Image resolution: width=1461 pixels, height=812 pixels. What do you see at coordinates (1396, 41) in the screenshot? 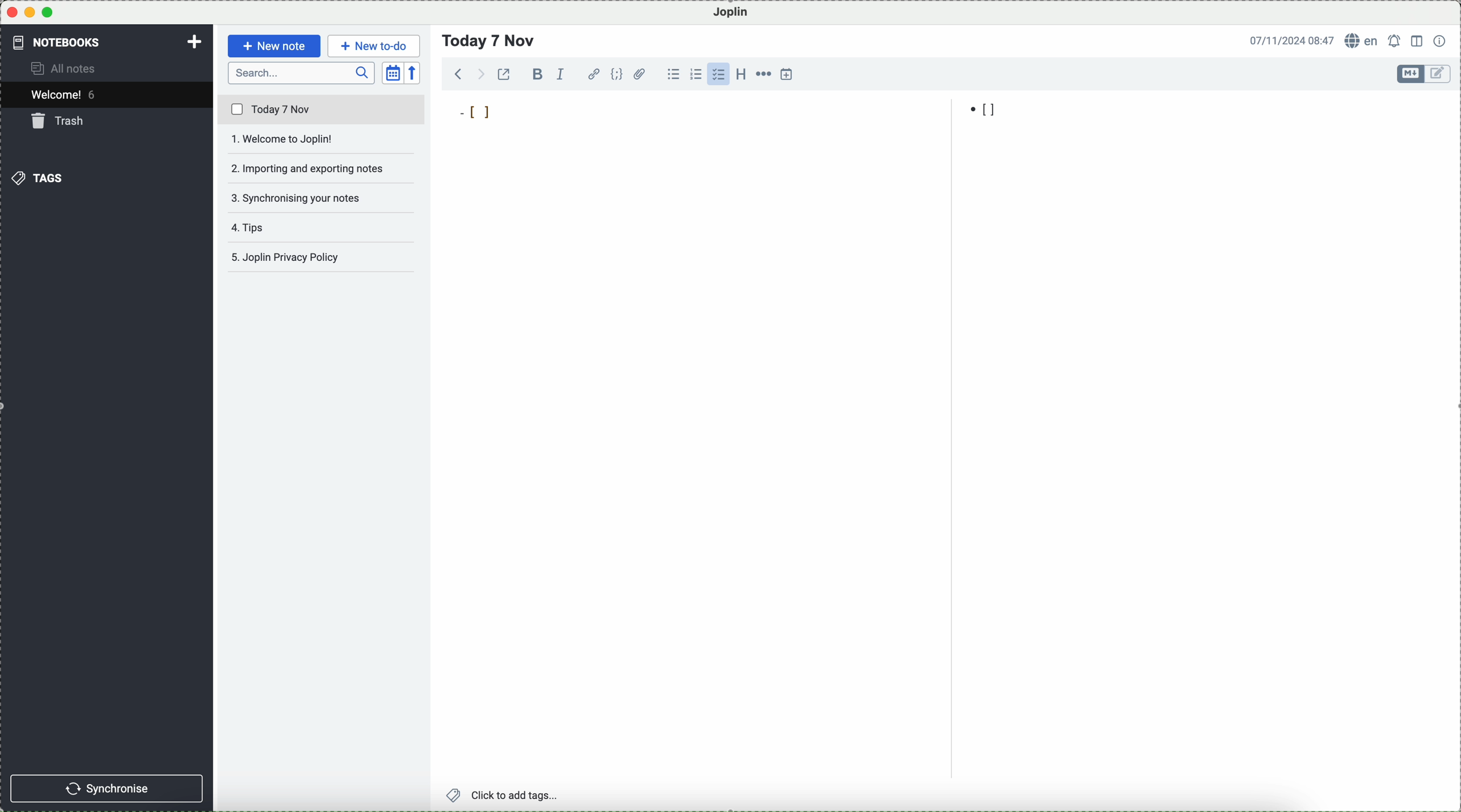
I see `set alarm` at bounding box center [1396, 41].